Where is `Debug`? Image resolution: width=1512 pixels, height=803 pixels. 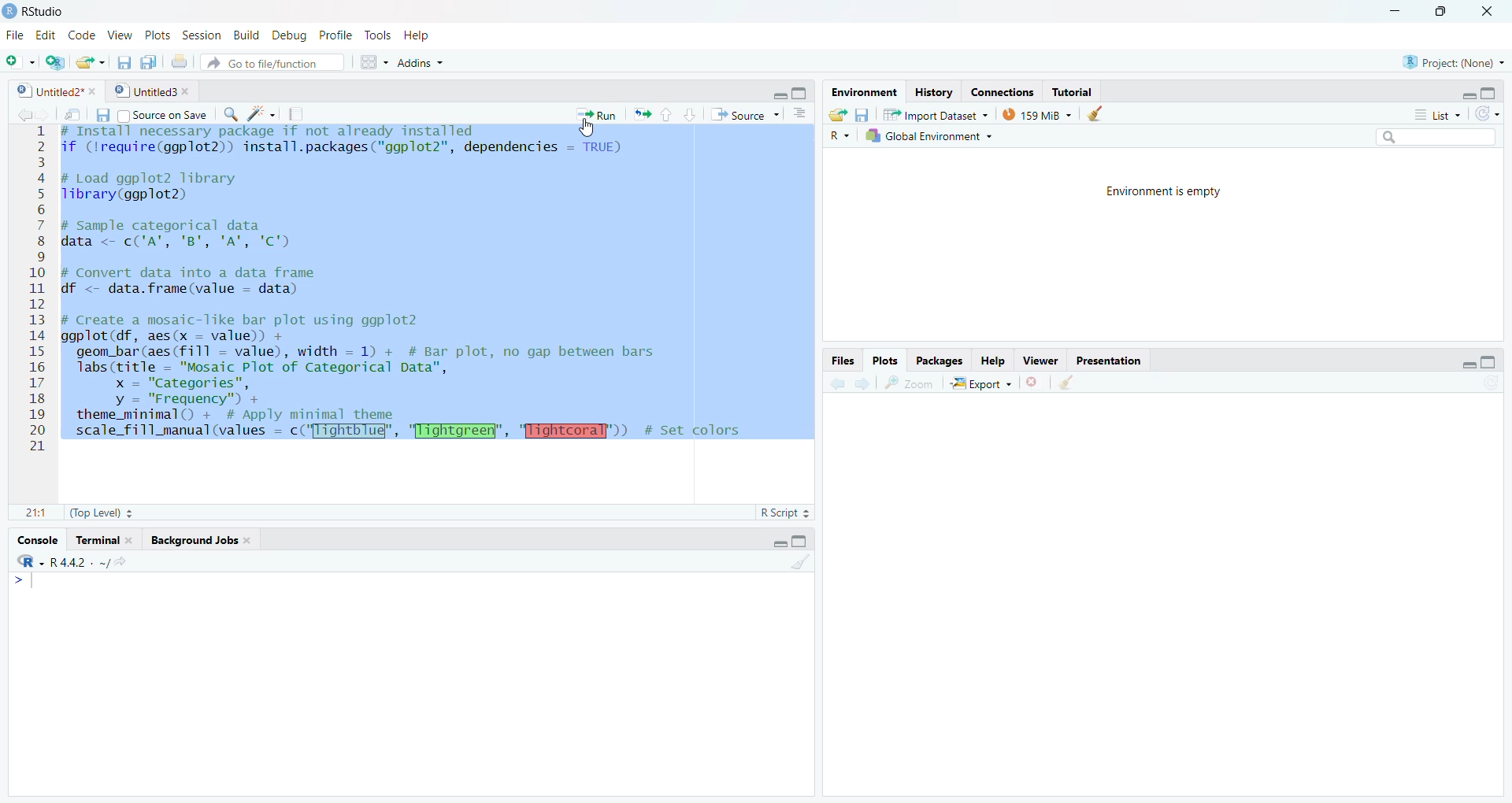
Debug is located at coordinates (288, 37).